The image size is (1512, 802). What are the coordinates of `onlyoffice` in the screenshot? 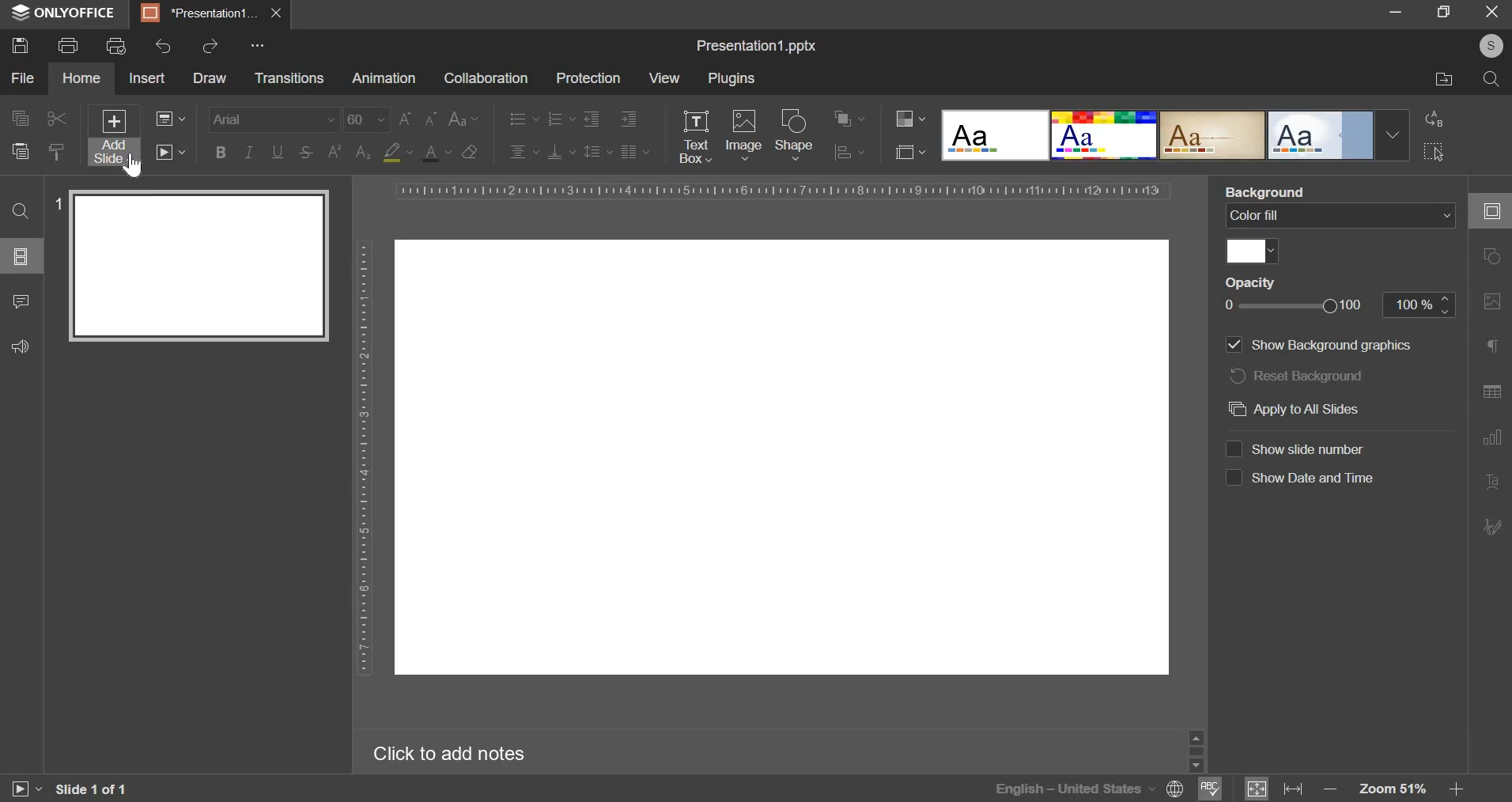 It's located at (68, 13).